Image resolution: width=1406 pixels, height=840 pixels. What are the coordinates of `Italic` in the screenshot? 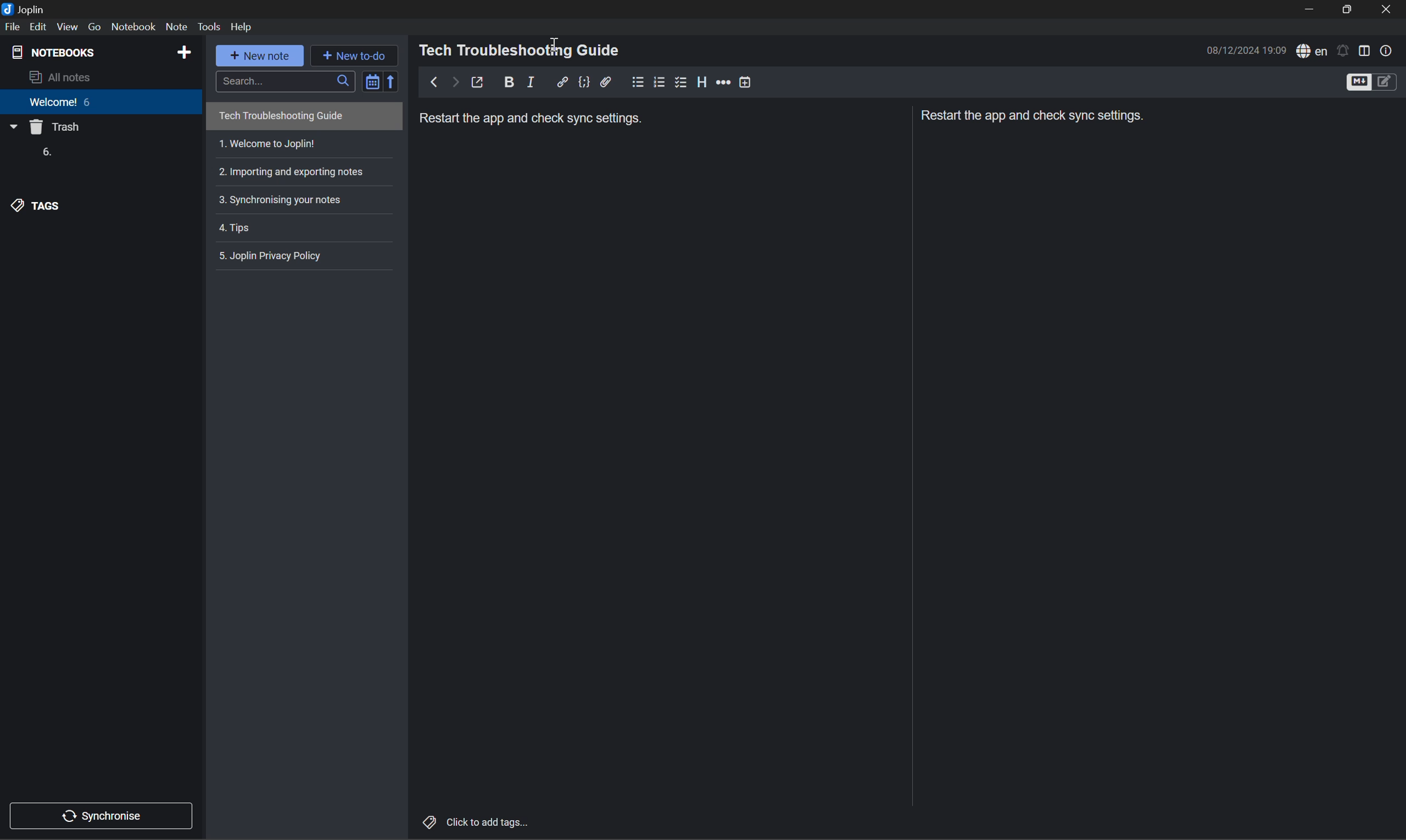 It's located at (533, 82).